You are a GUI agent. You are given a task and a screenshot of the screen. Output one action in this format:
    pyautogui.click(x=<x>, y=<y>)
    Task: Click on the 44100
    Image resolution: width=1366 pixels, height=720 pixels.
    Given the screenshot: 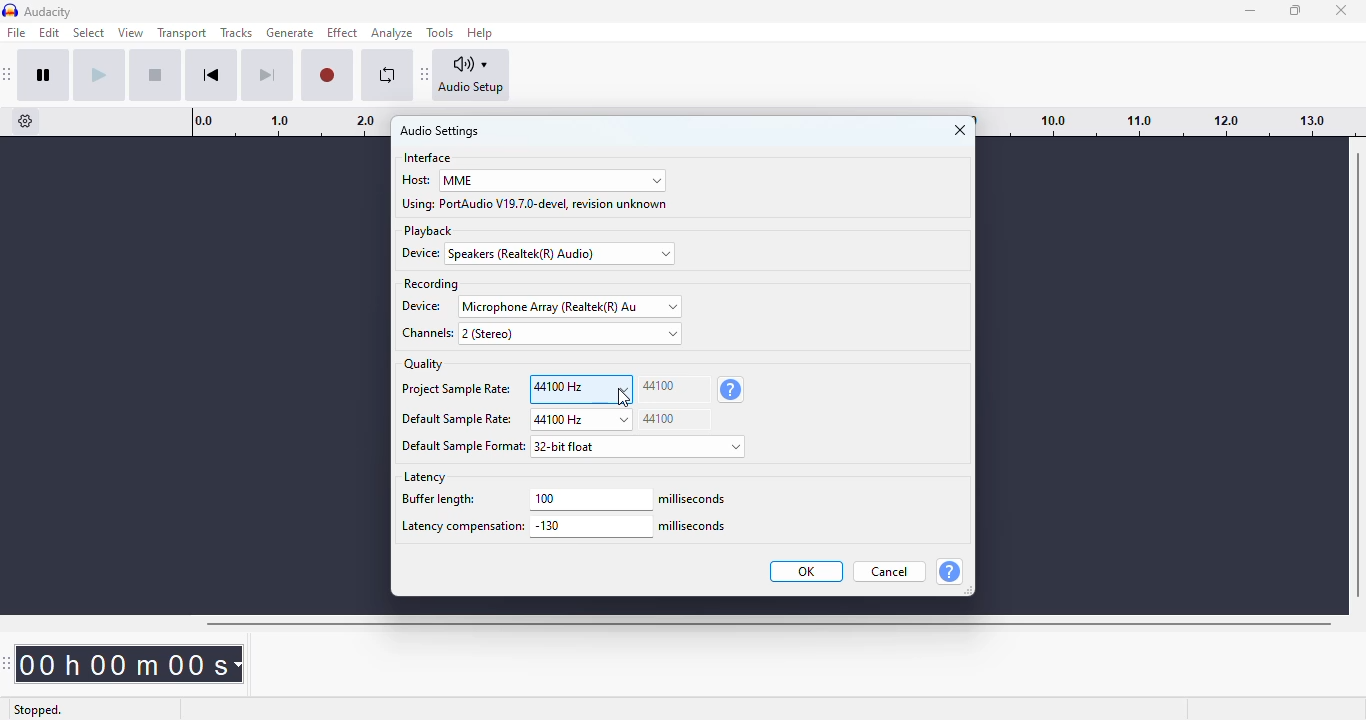 What is the action you would take?
    pyautogui.click(x=674, y=389)
    